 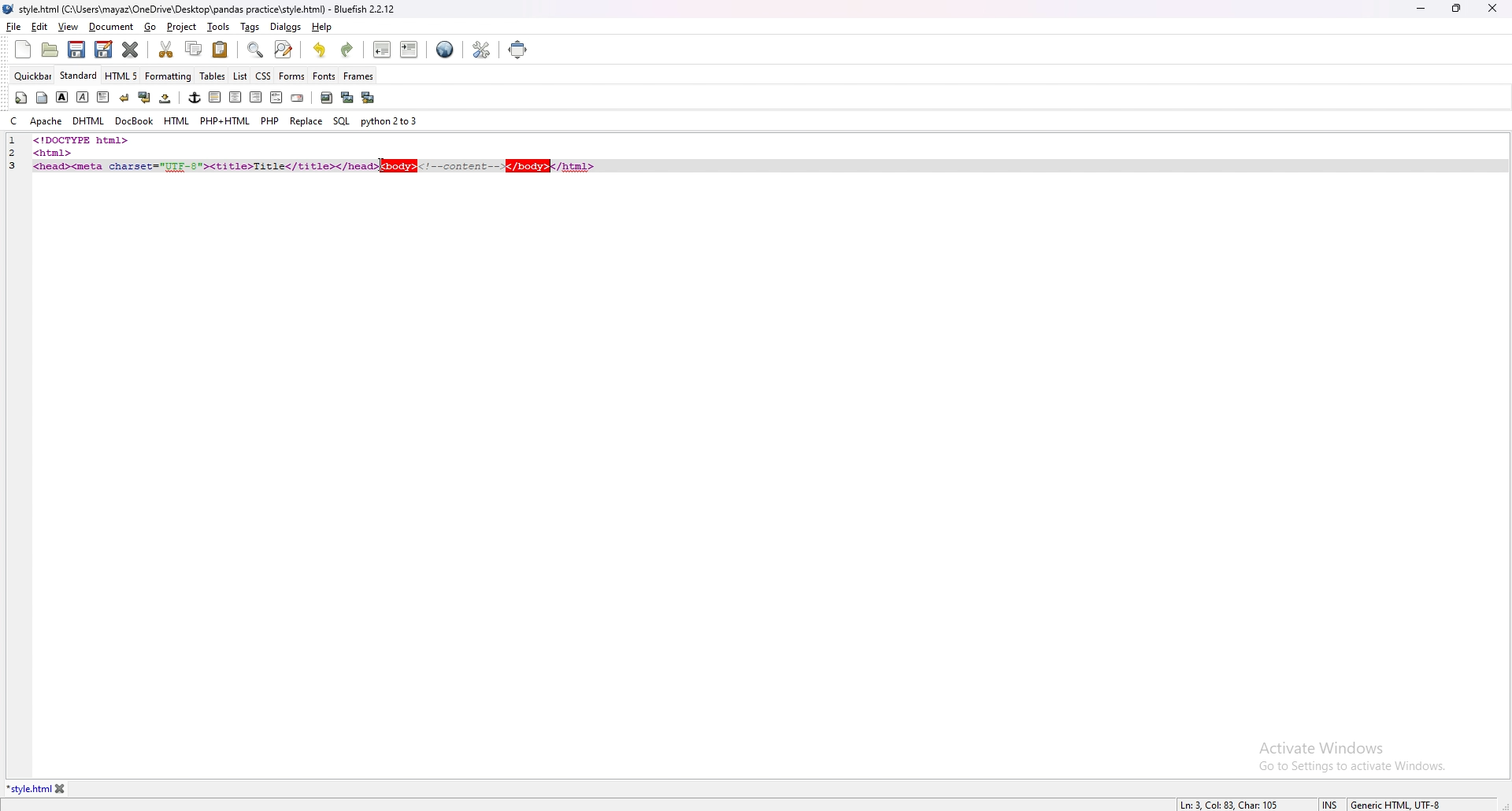 I want to click on minimize, so click(x=1421, y=9).